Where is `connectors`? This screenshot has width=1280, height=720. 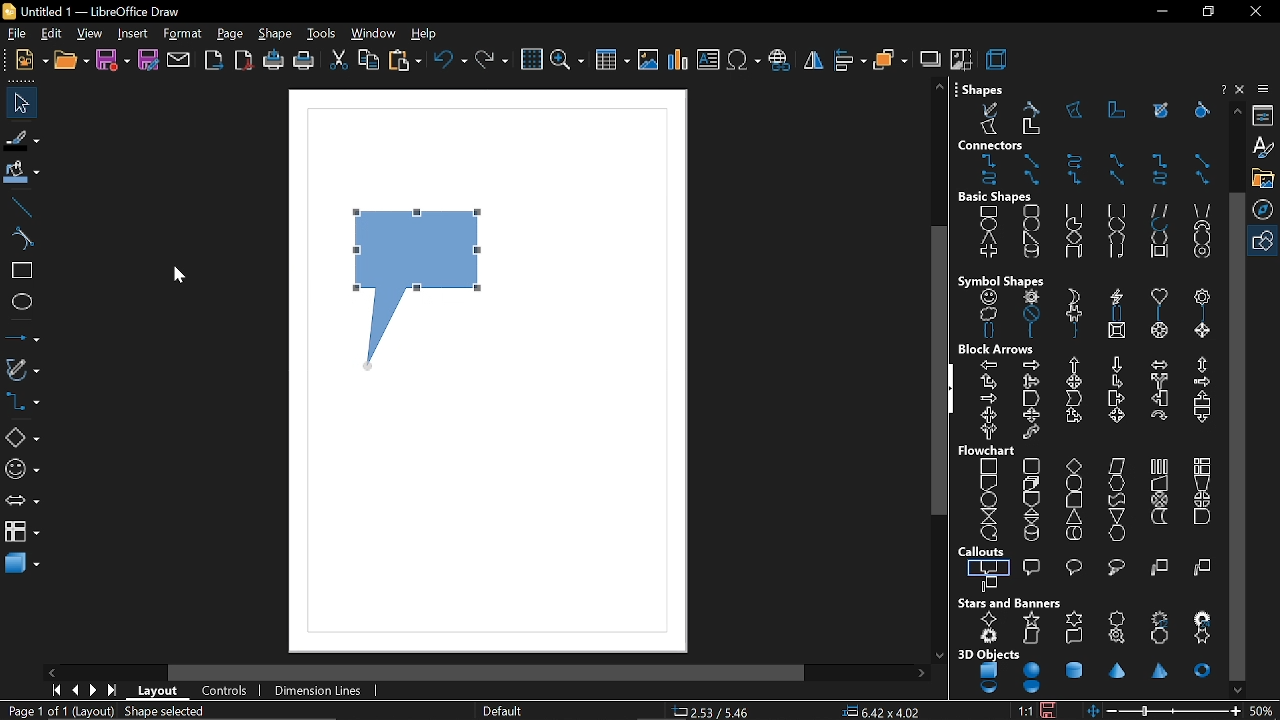 connectors is located at coordinates (21, 402).